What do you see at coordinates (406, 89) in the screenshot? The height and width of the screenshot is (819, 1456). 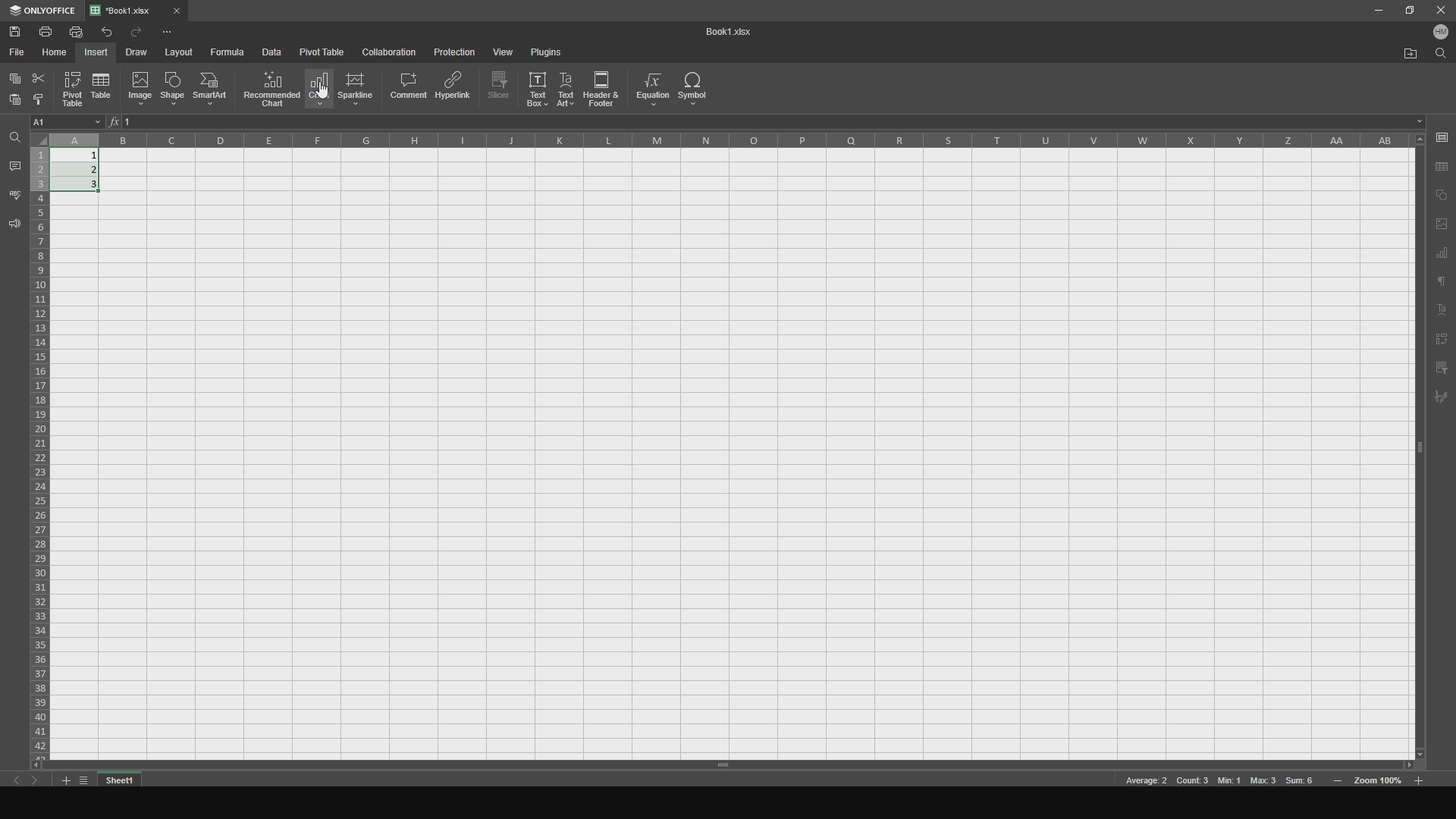 I see `comment` at bounding box center [406, 89].